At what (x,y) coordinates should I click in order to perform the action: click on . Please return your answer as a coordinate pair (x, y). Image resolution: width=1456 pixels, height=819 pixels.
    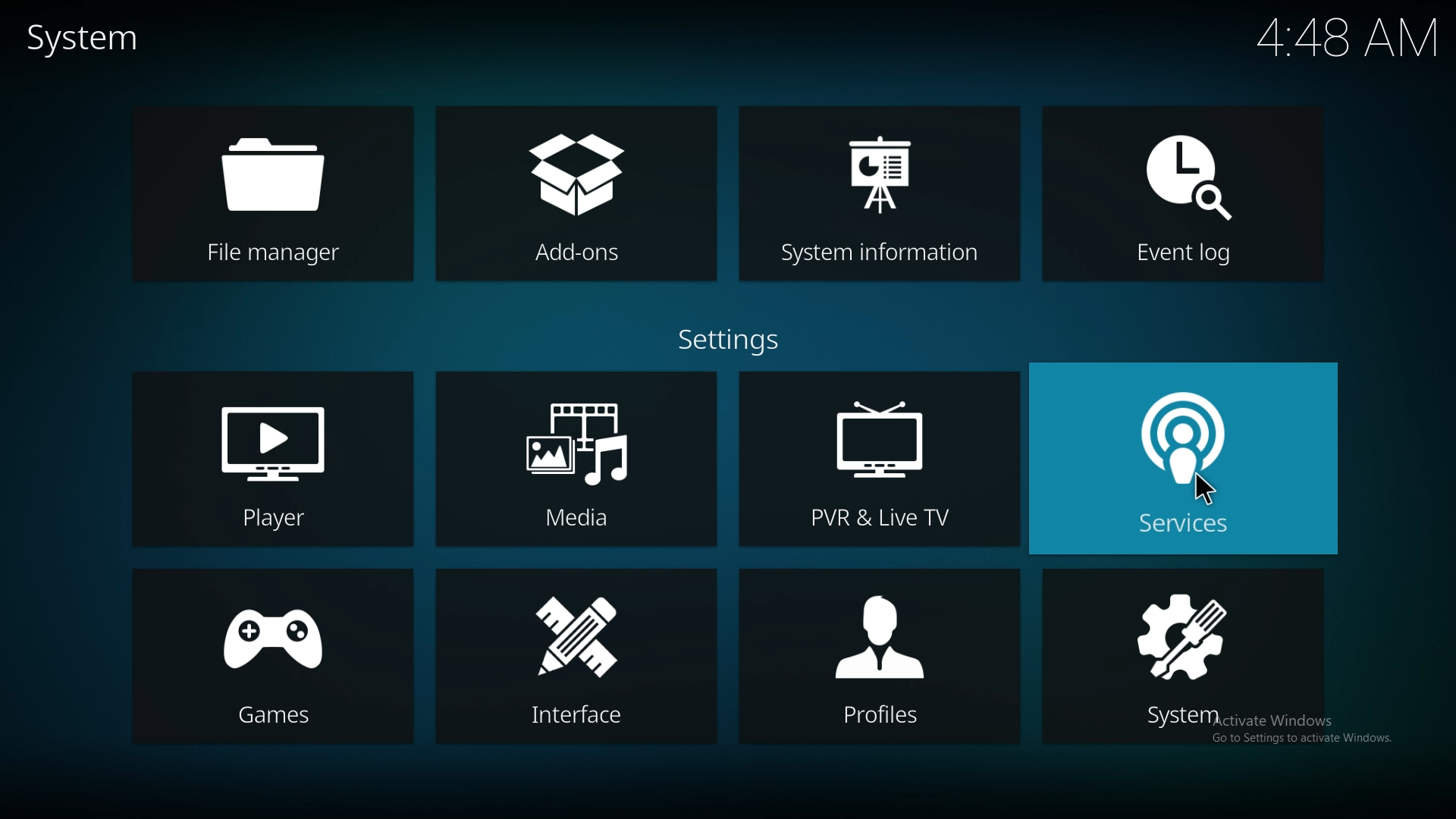
    Looking at the image, I should click on (1330, 35).